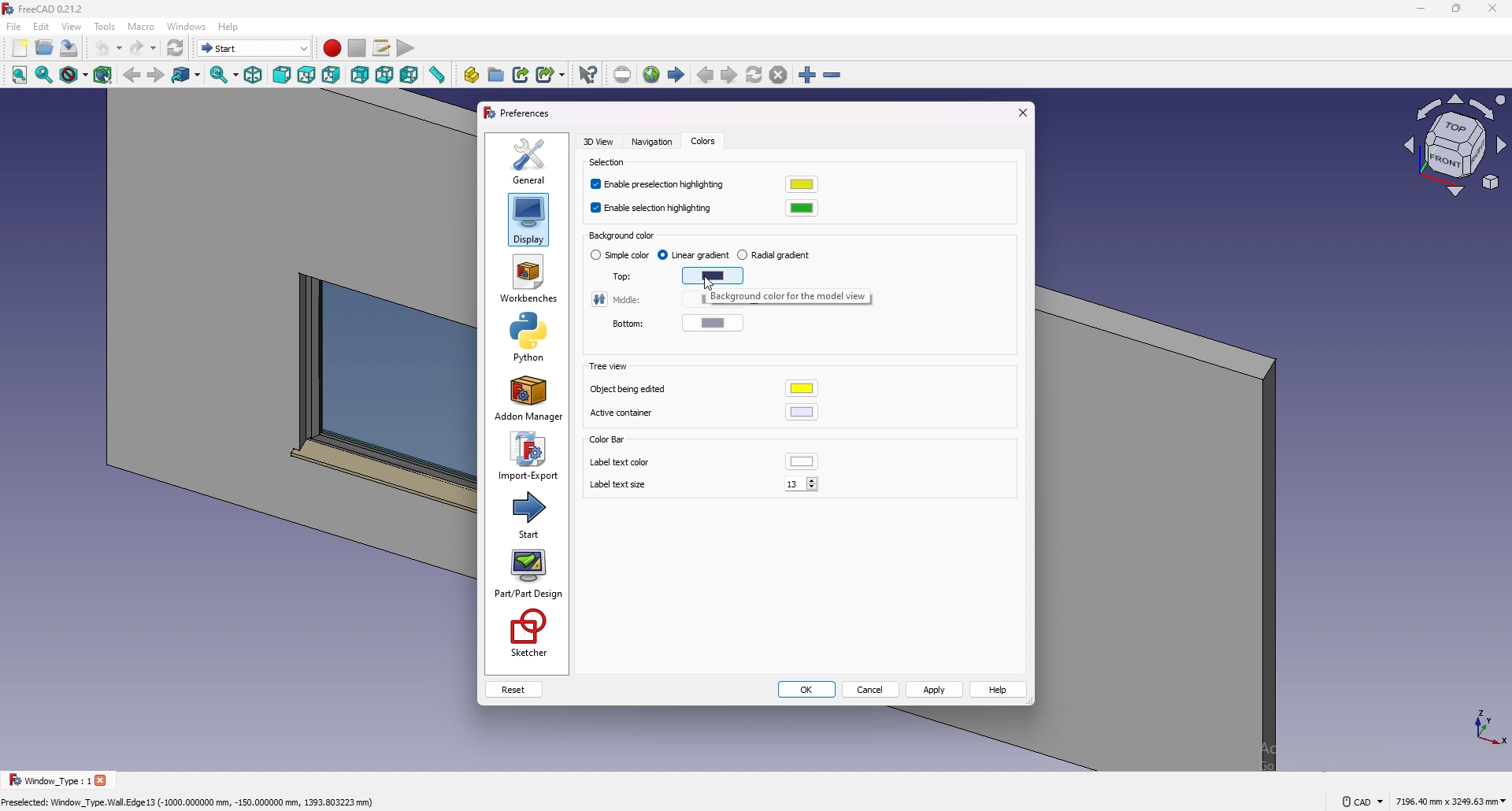 This screenshot has height=811, width=1512. I want to click on switch between workbenches, so click(254, 48).